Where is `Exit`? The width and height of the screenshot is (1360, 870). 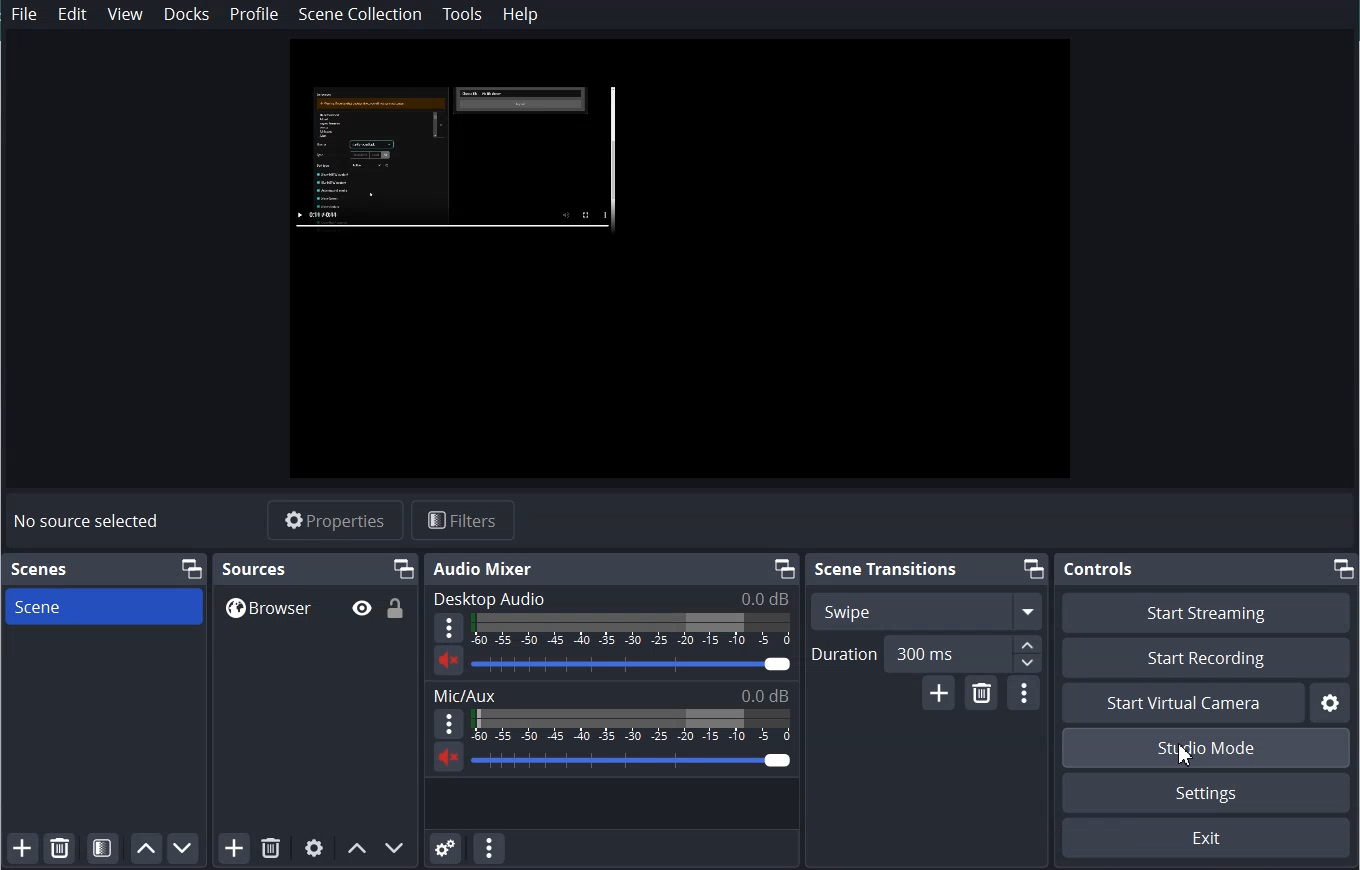 Exit is located at coordinates (1204, 839).